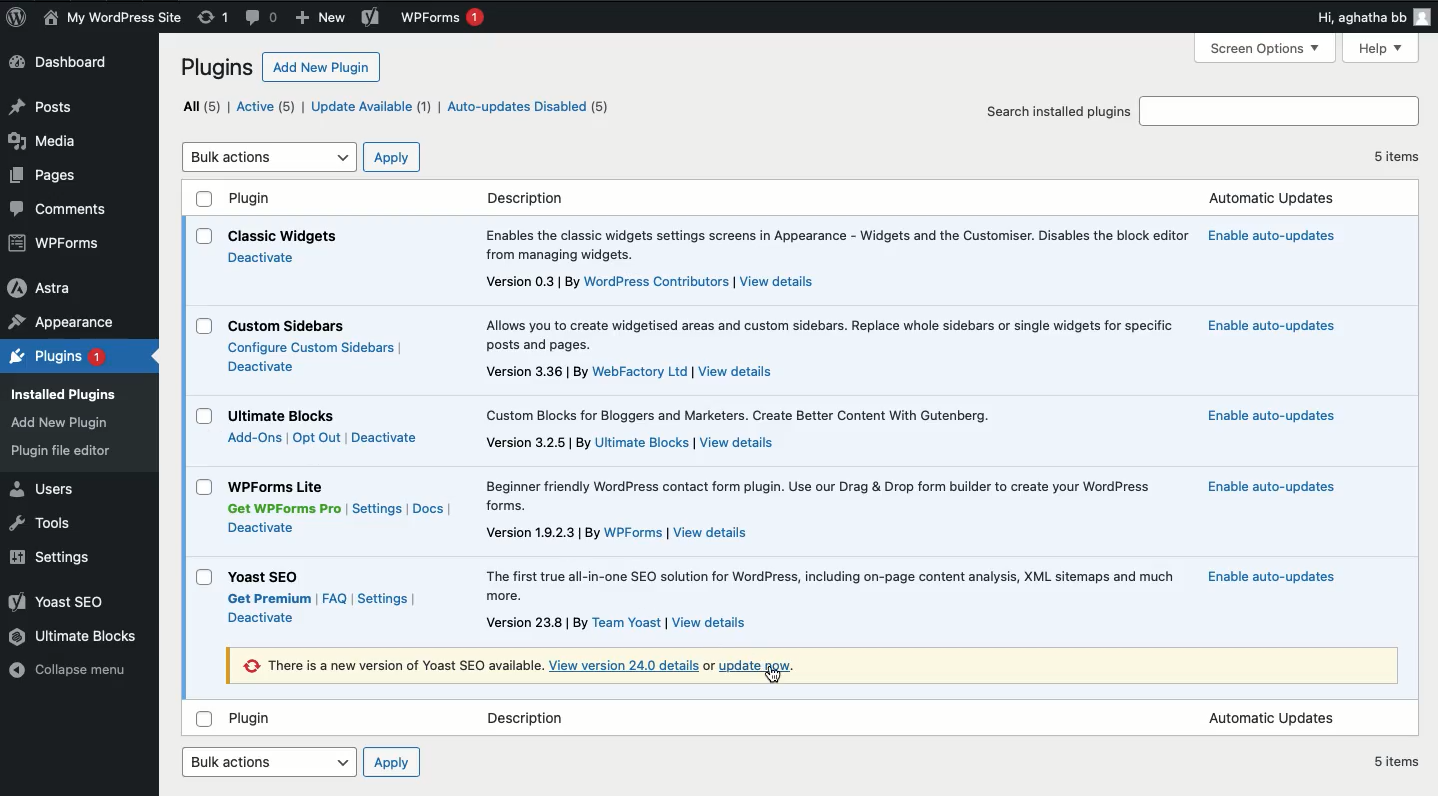 This screenshot has height=796, width=1438. Describe the element at coordinates (262, 257) in the screenshot. I see `Deactive` at that location.